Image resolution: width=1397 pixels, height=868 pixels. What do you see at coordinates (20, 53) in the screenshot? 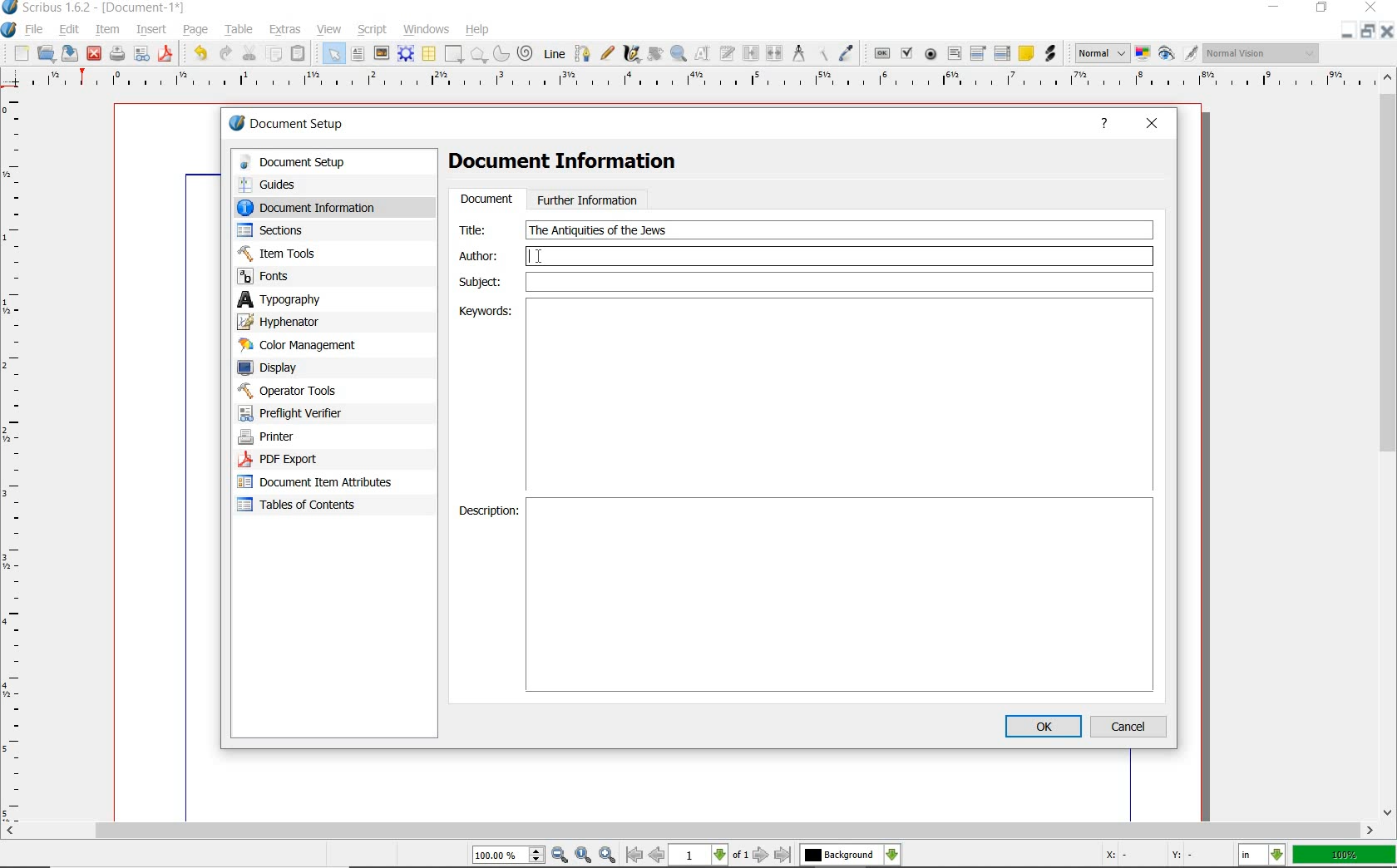
I see `new` at bounding box center [20, 53].